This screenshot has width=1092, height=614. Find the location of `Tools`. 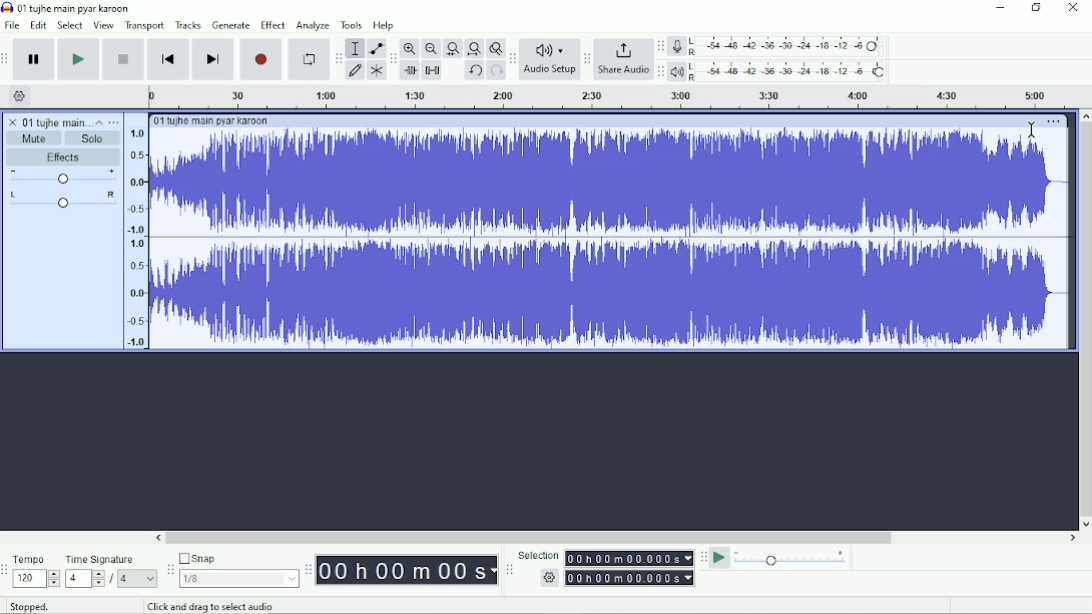

Tools is located at coordinates (353, 25).